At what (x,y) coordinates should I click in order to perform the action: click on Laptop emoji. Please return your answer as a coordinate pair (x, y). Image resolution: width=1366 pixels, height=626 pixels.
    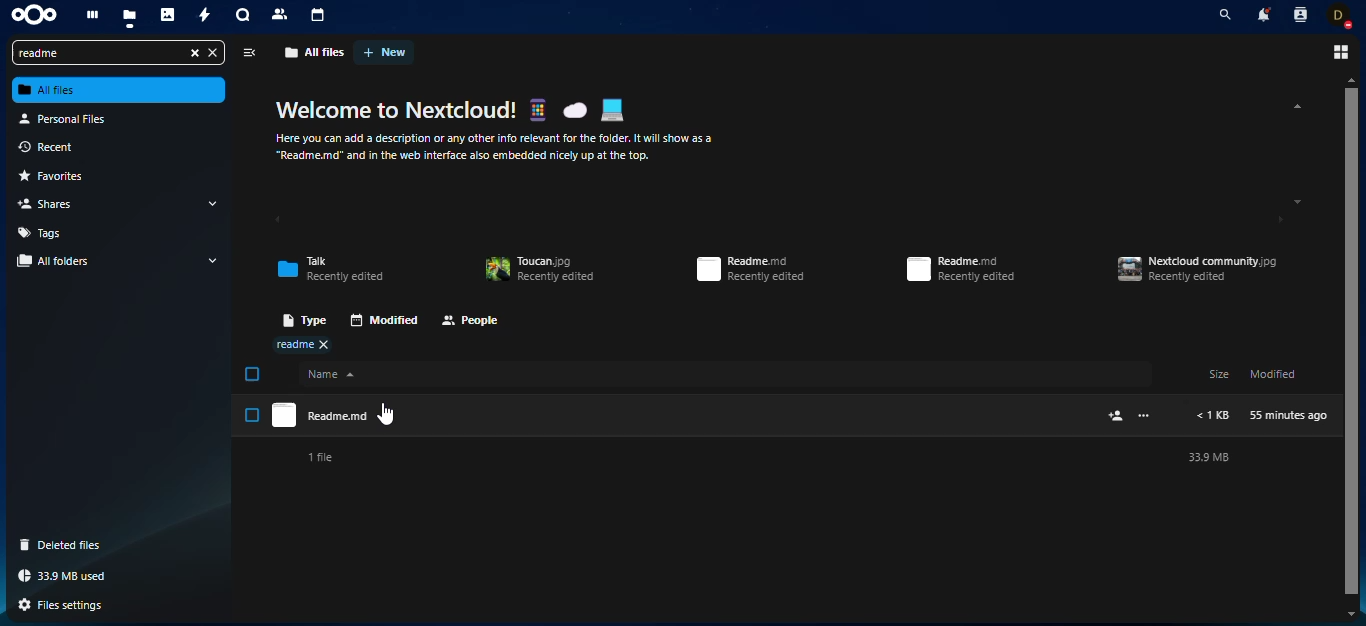
    Looking at the image, I should click on (612, 110).